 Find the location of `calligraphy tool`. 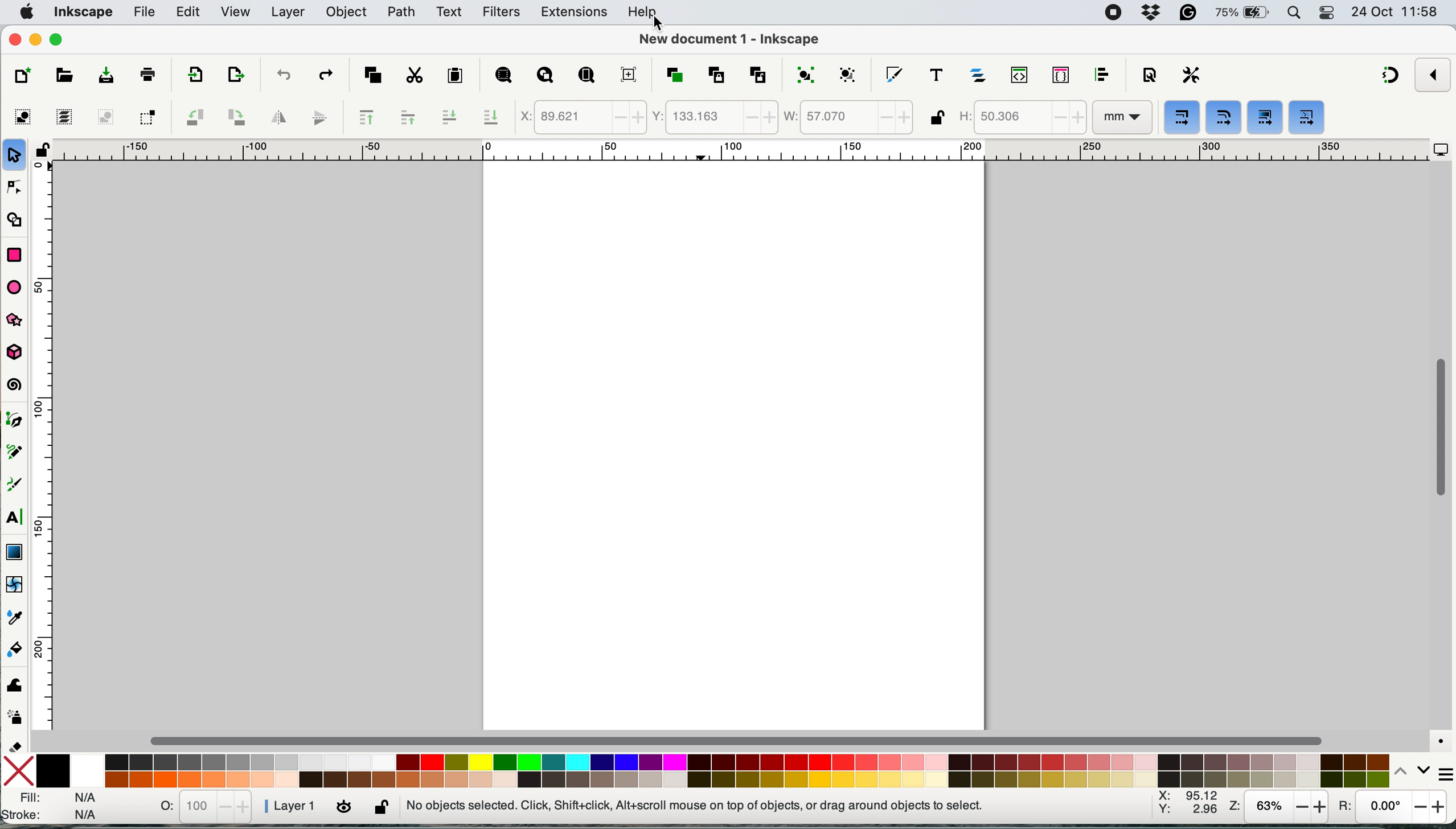

calligraphy tool is located at coordinates (15, 484).